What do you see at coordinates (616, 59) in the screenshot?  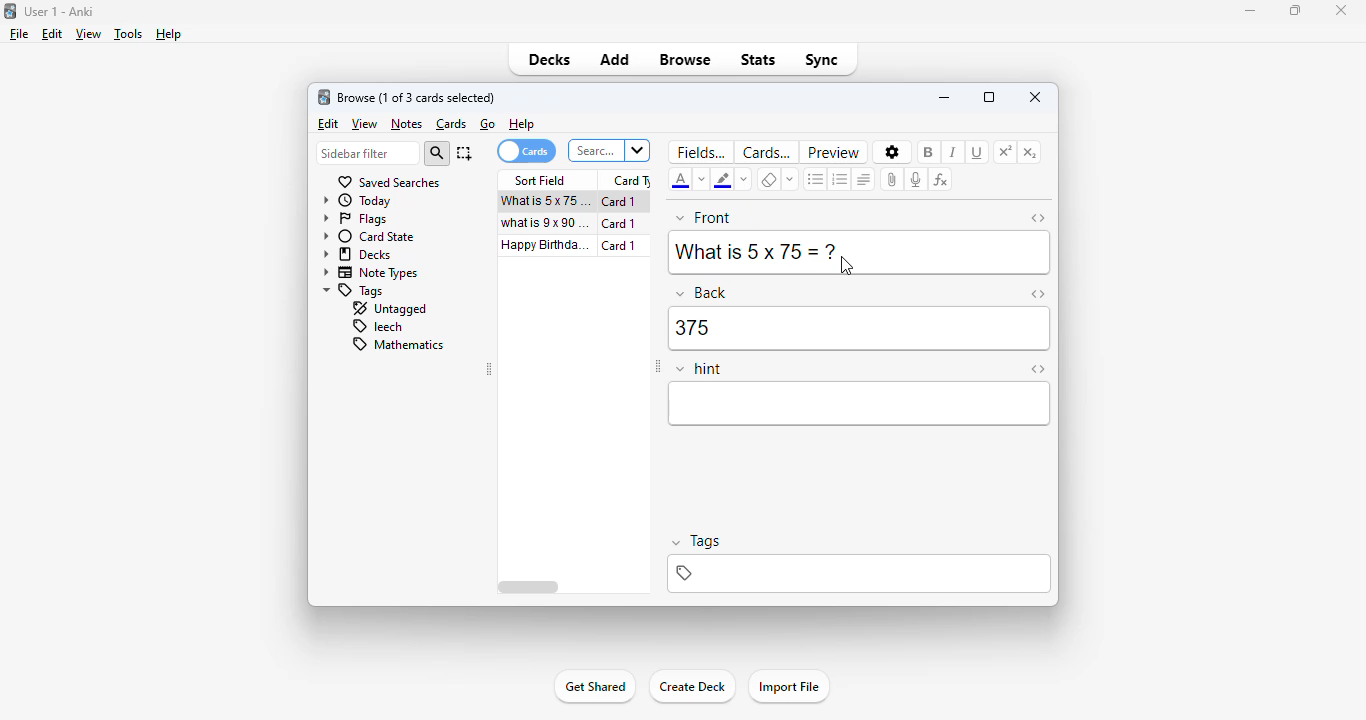 I see `add` at bounding box center [616, 59].